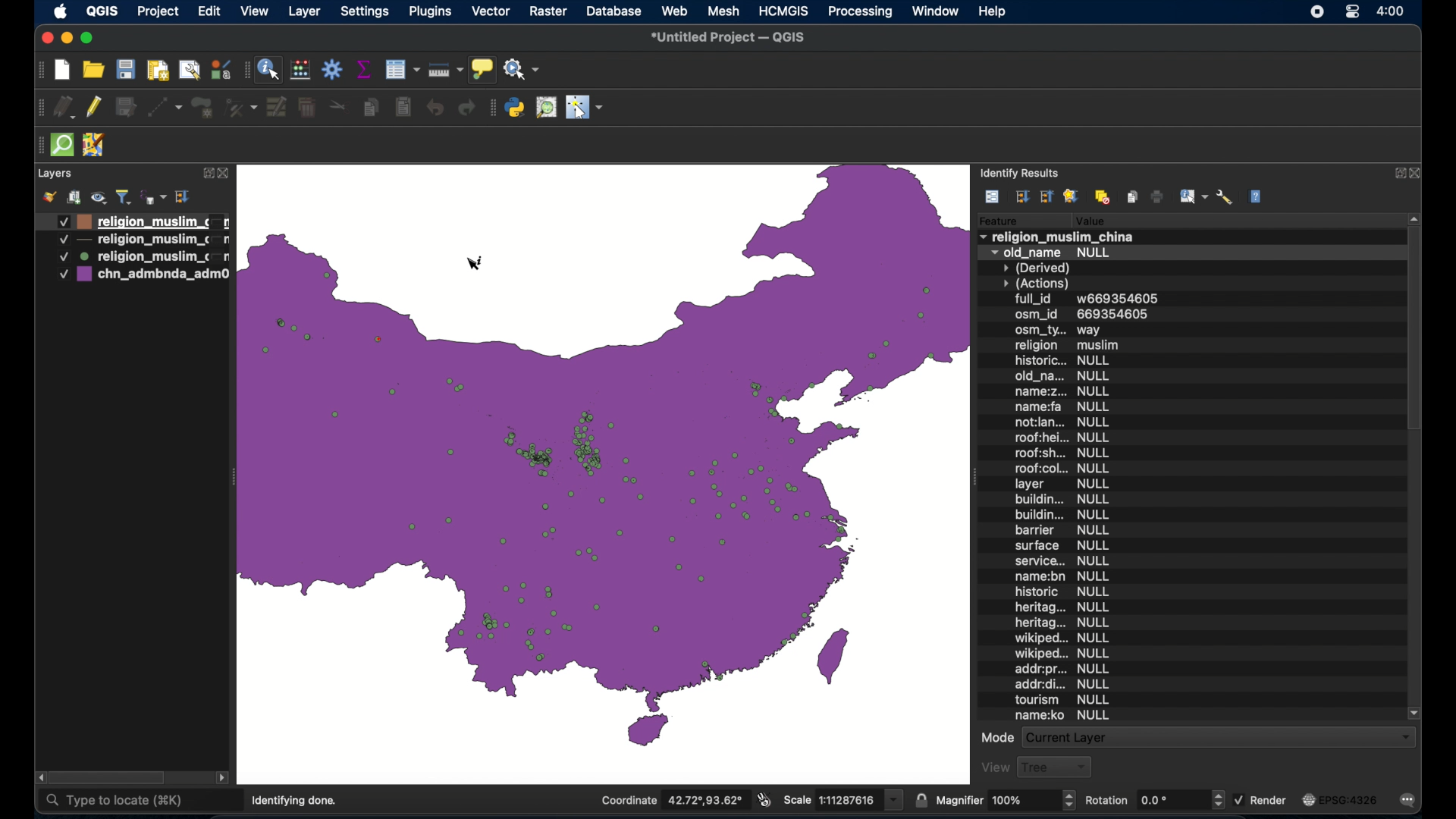 The height and width of the screenshot is (819, 1456). I want to click on digitize with segment, so click(166, 106).